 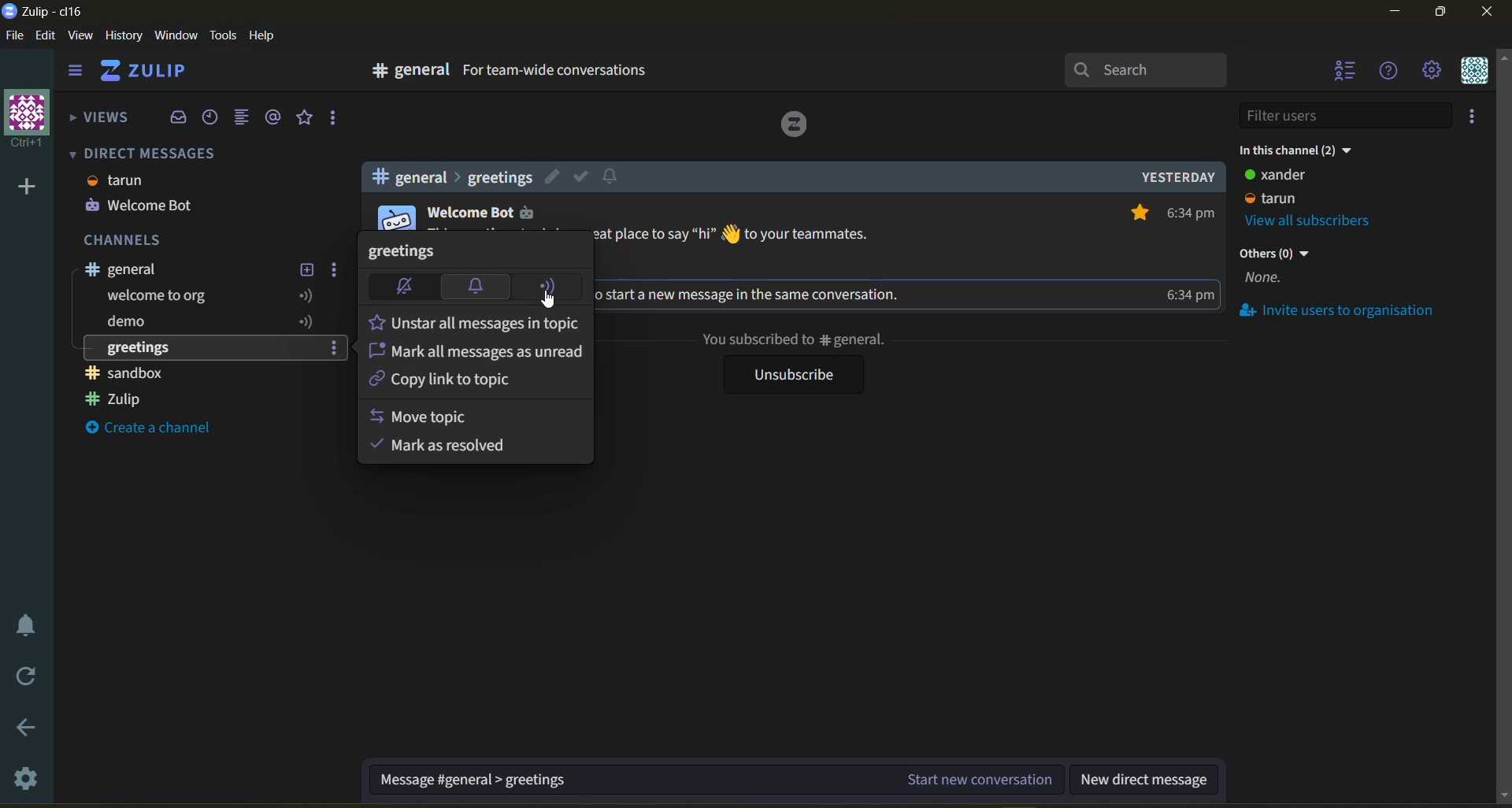 I want to click on sandbox, so click(x=132, y=372).